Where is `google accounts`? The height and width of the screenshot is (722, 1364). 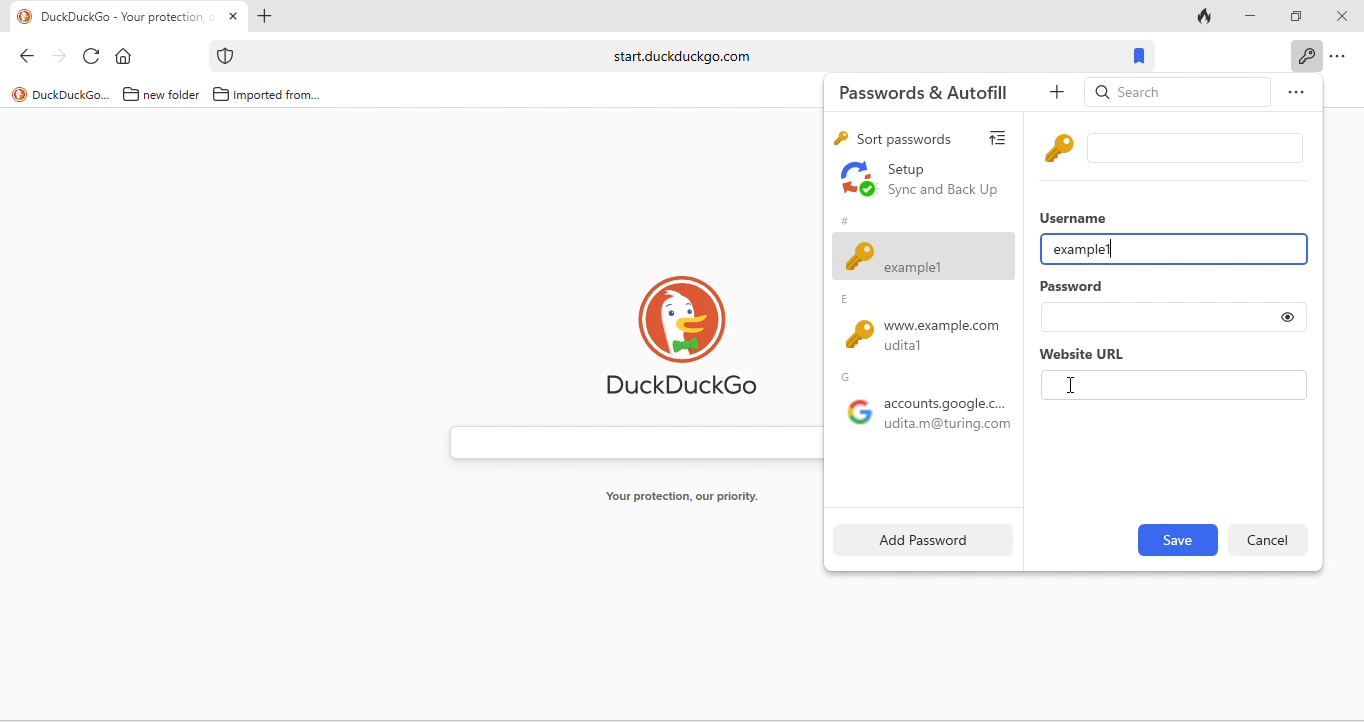
google accounts is located at coordinates (923, 418).